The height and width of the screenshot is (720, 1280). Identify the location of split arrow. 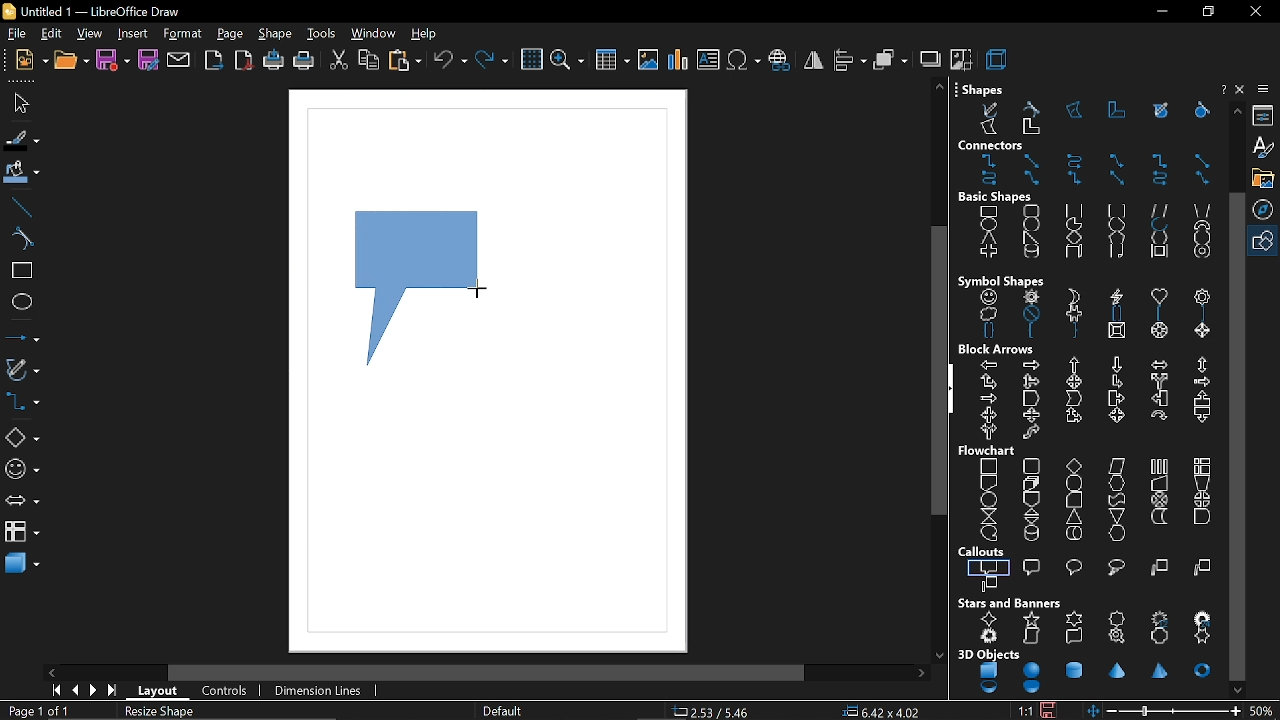
(1159, 382).